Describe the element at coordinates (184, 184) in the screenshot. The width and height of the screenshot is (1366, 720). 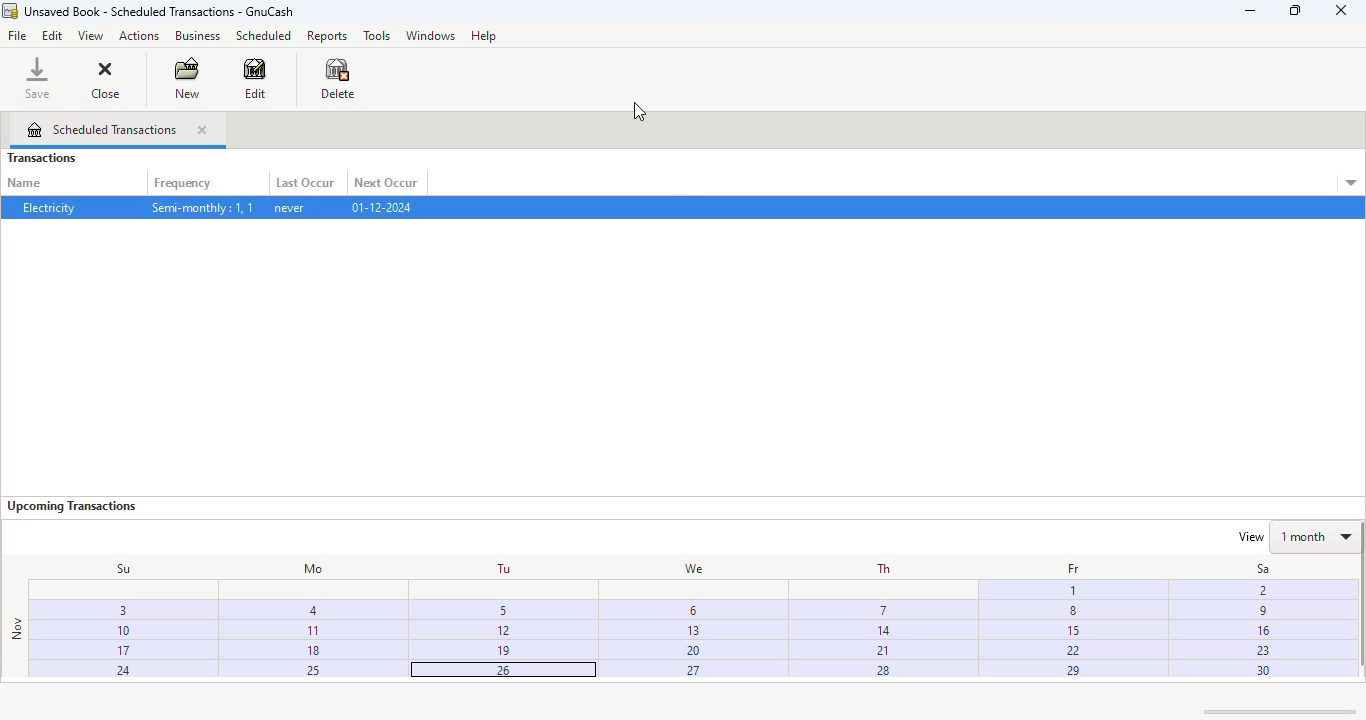
I see `frequency` at that location.